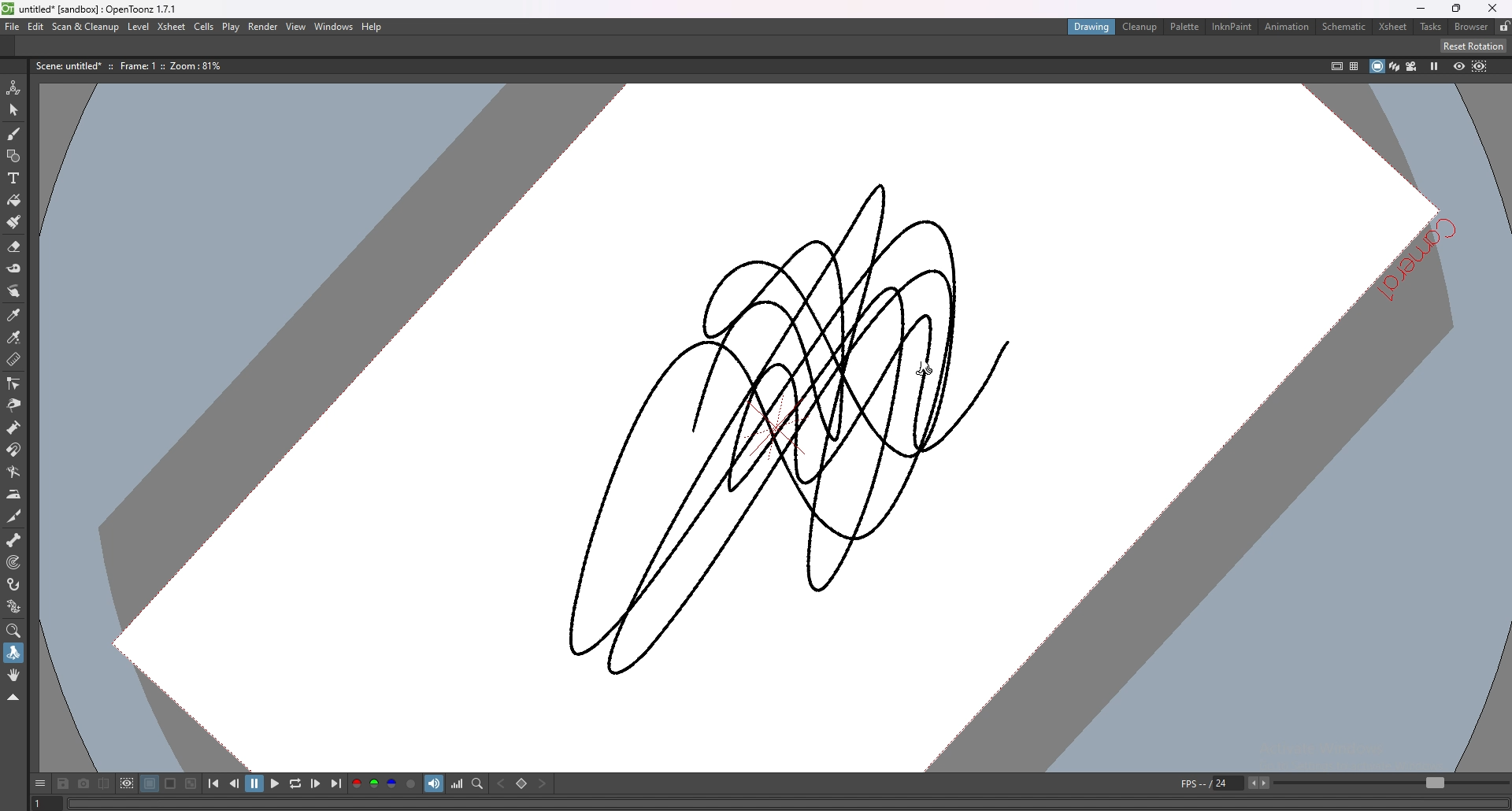 This screenshot has width=1512, height=811. I want to click on animation, so click(1288, 27).